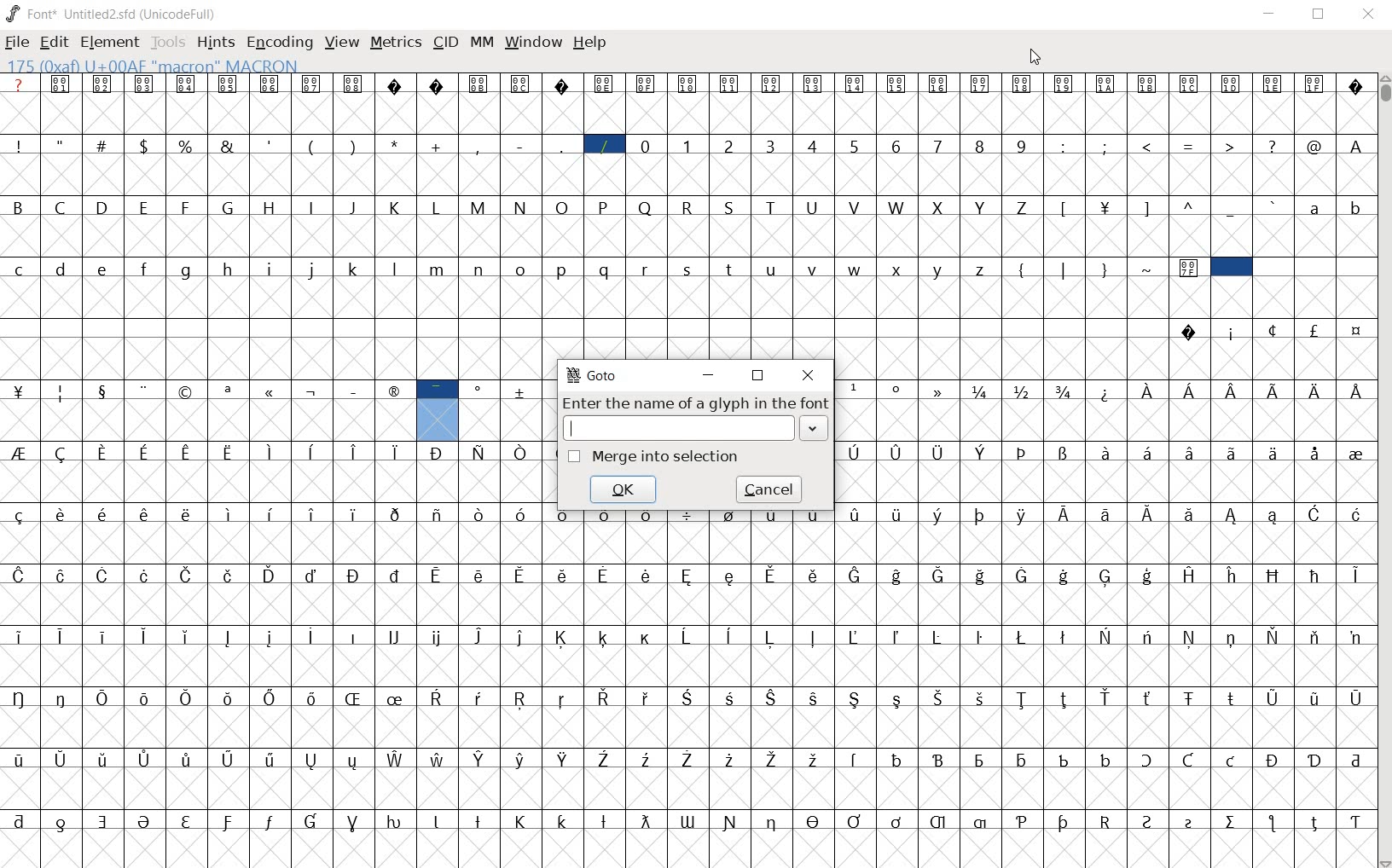  I want to click on special characters, so click(273, 472).